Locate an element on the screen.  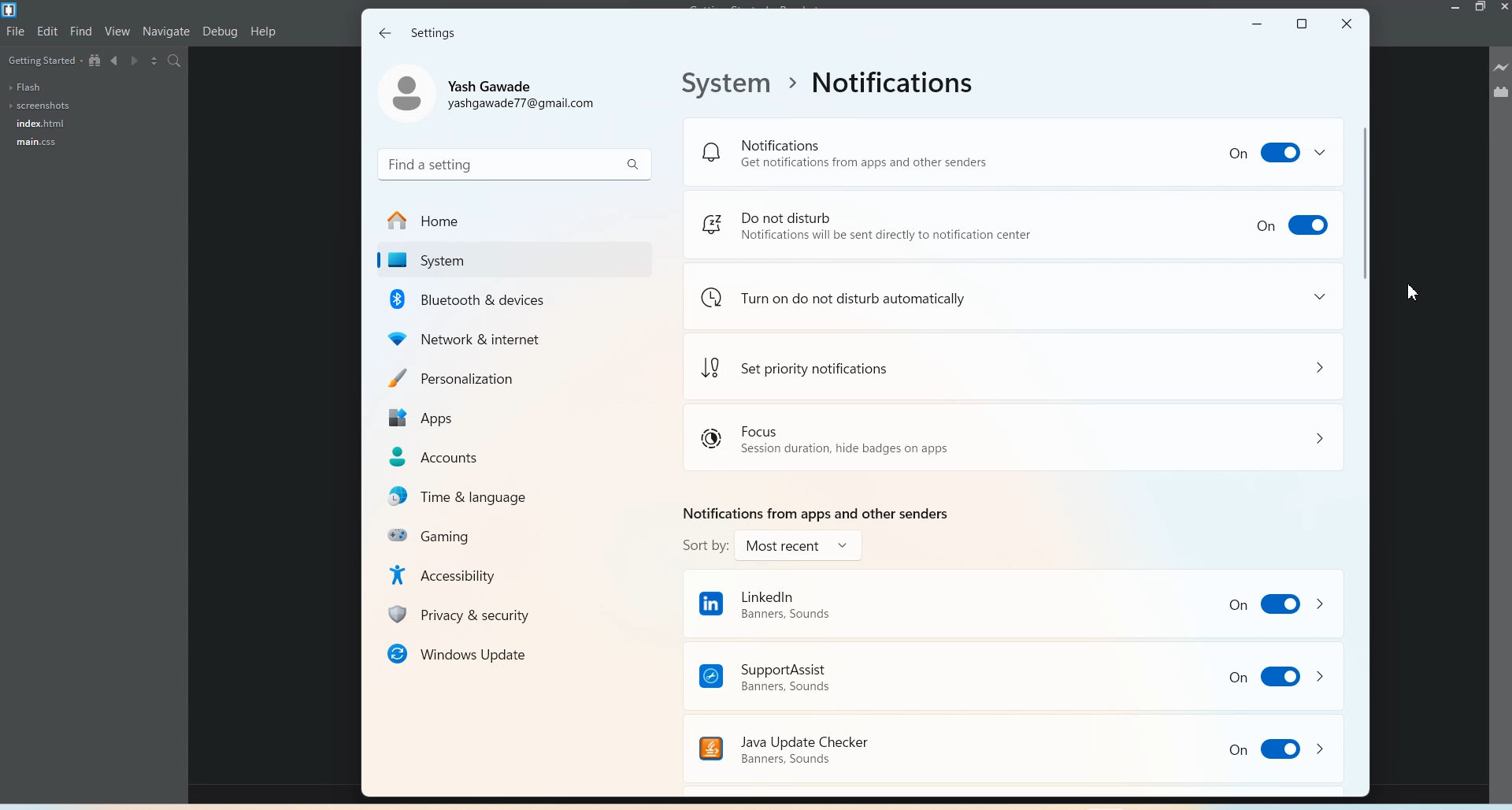
LinkedIn is located at coordinates (1013, 602).